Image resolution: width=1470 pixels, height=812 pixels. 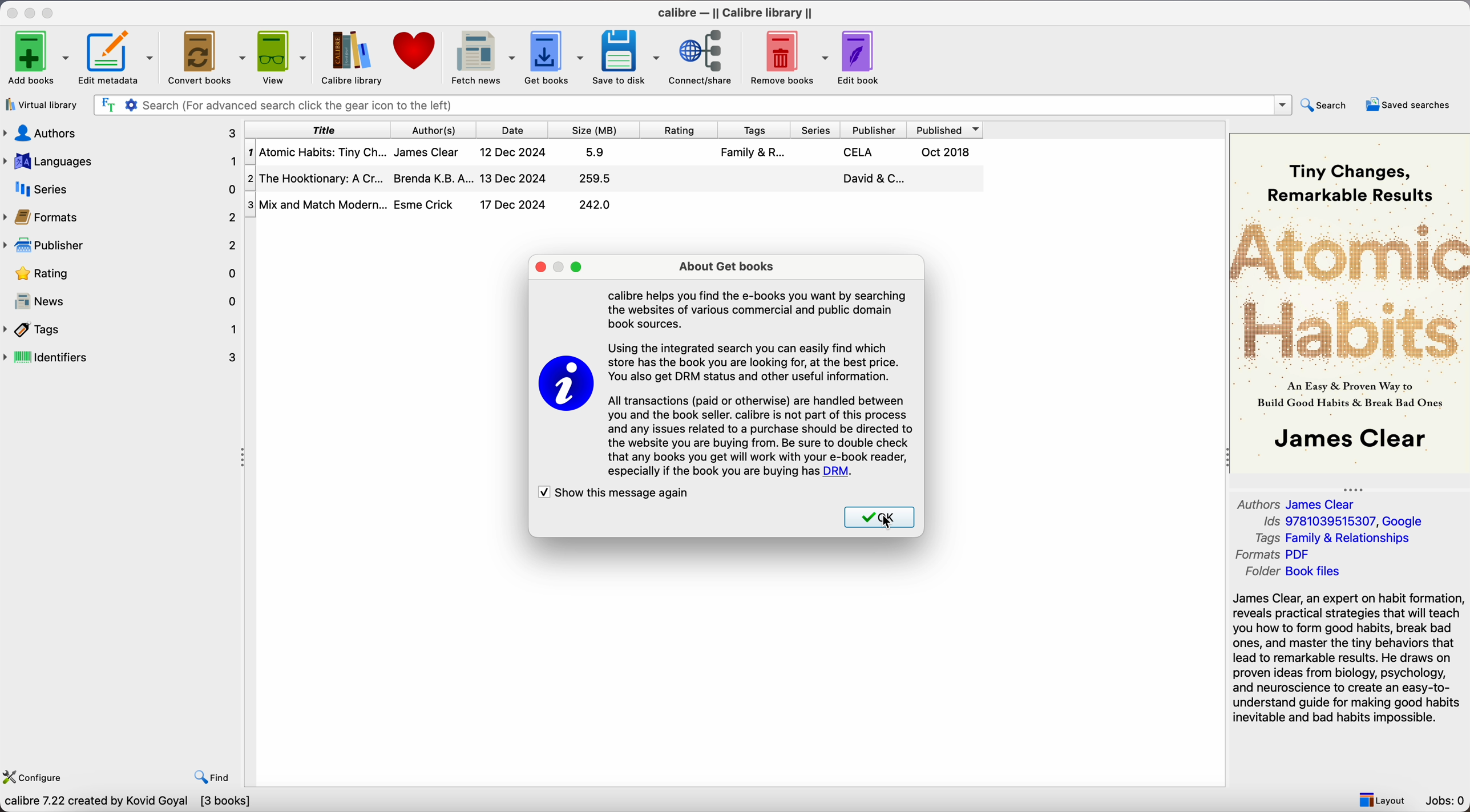 What do you see at coordinates (539, 268) in the screenshot?
I see `close` at bounding box center [539, 268].